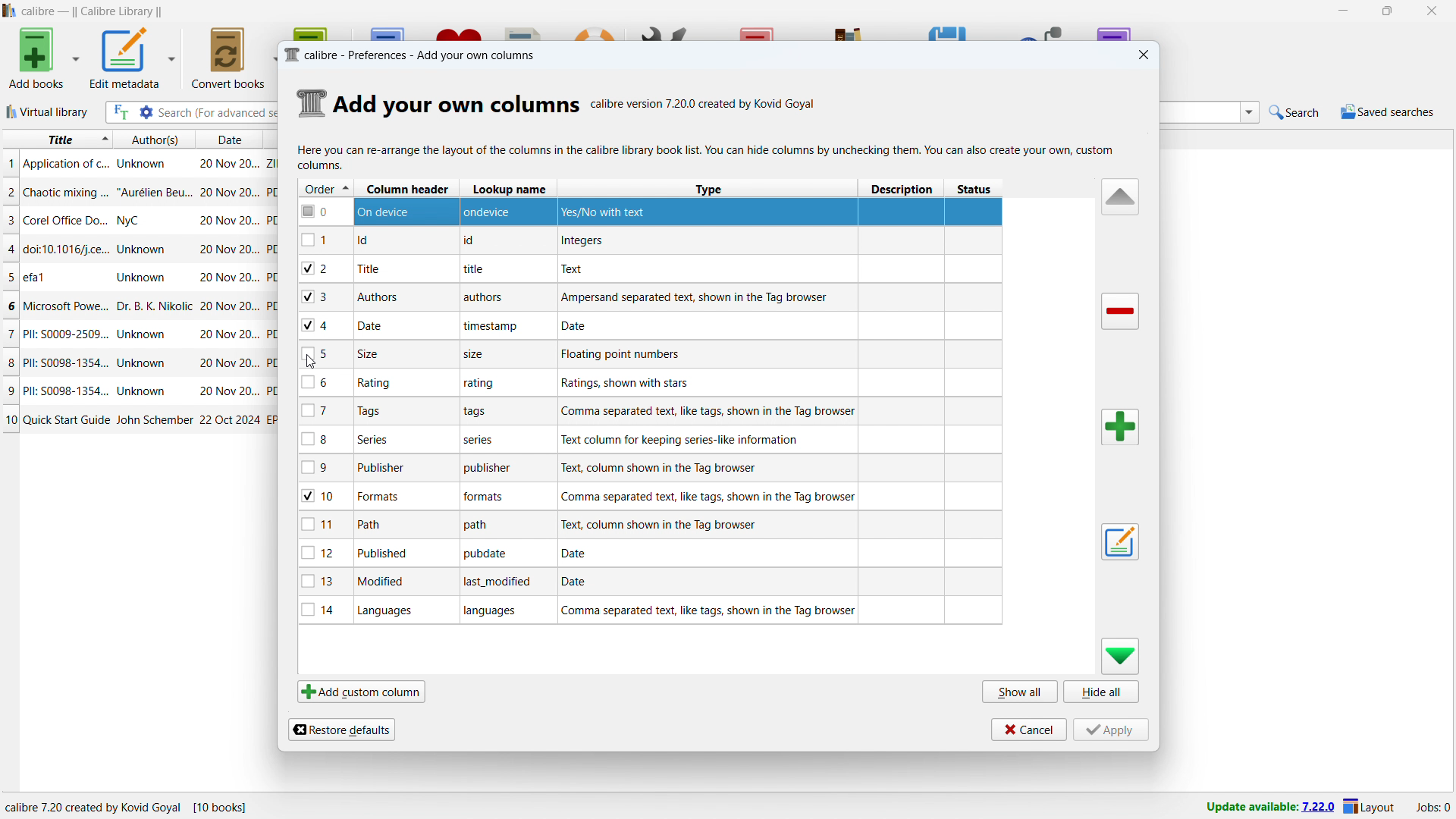 This screenshot has height=819, width=1456. I want to click on description, so click(904, 189).